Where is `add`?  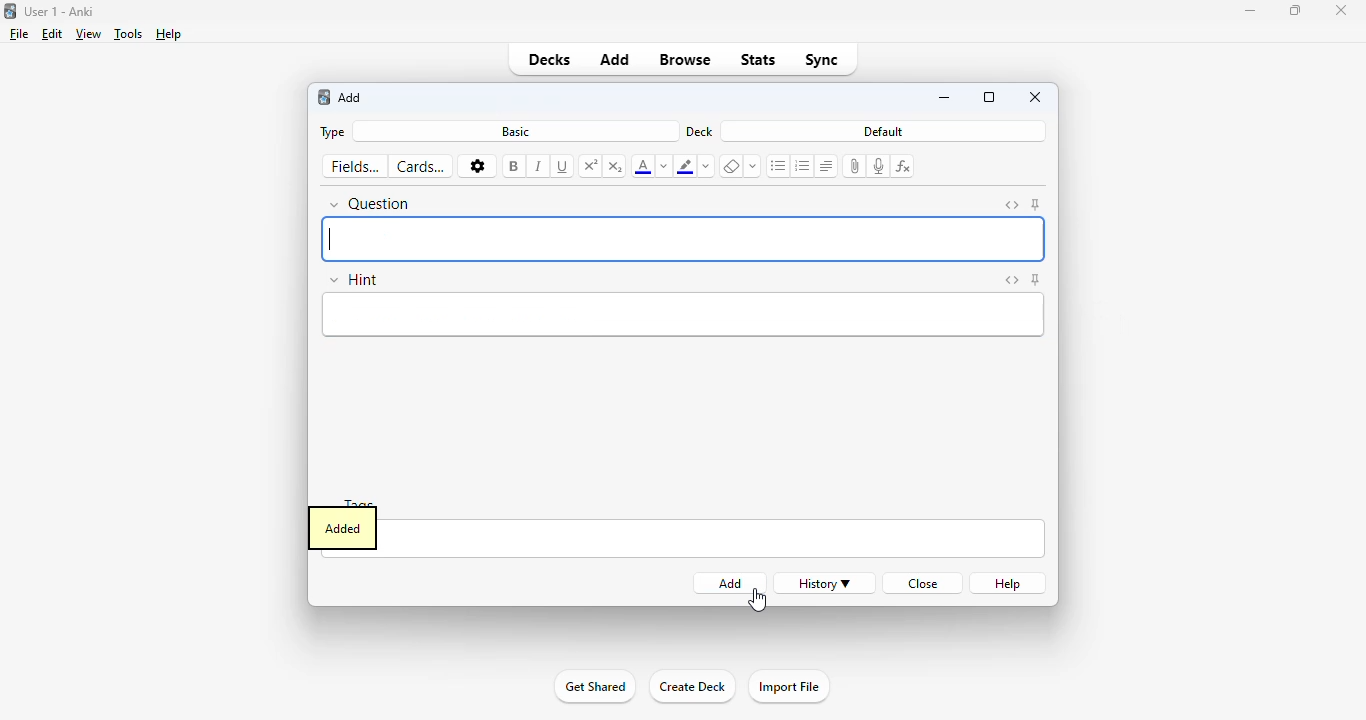 add is located at coordinates (732, 584).